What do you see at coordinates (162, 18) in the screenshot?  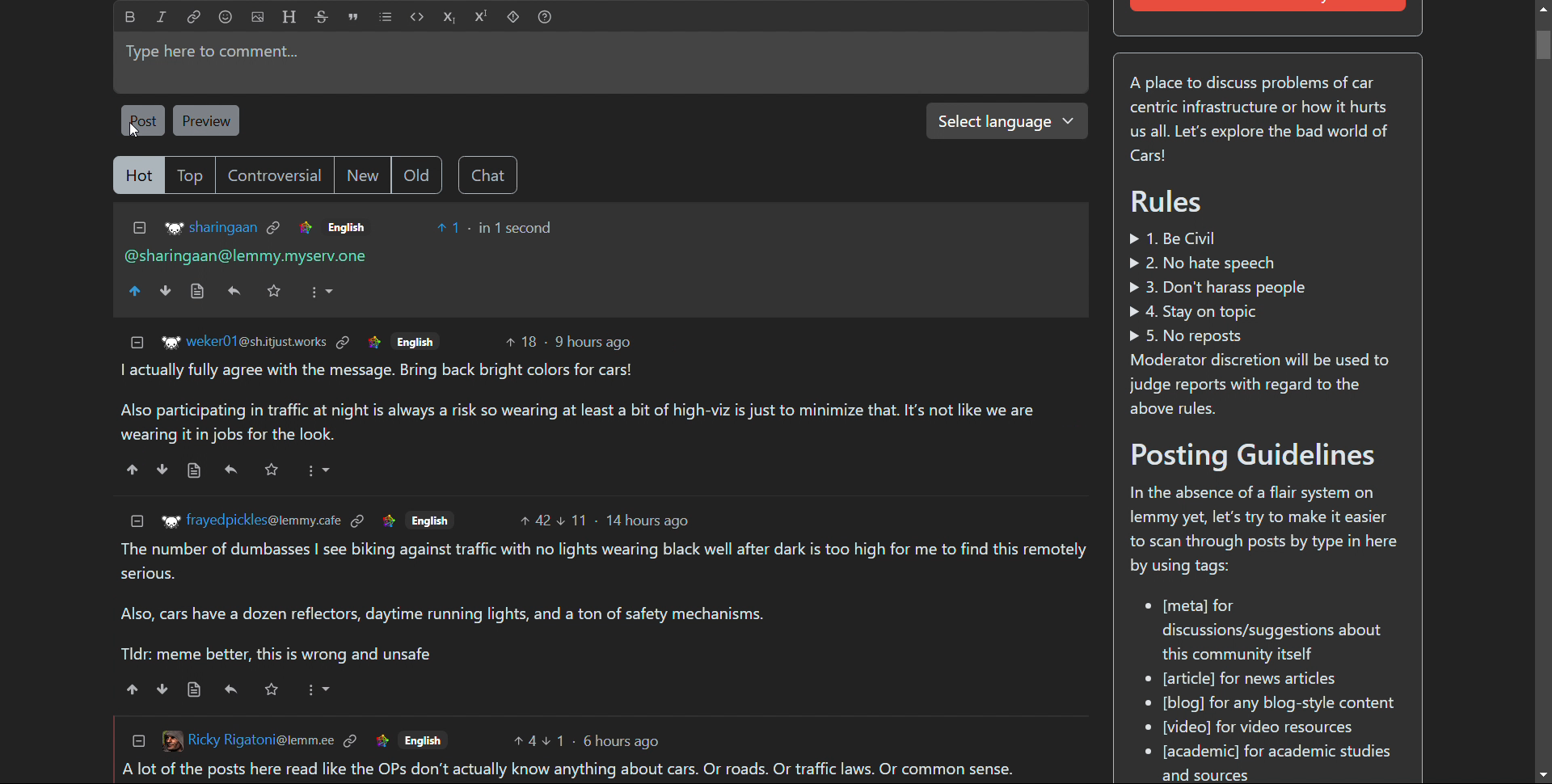 I see `italic` at bounding box center [162, 18].